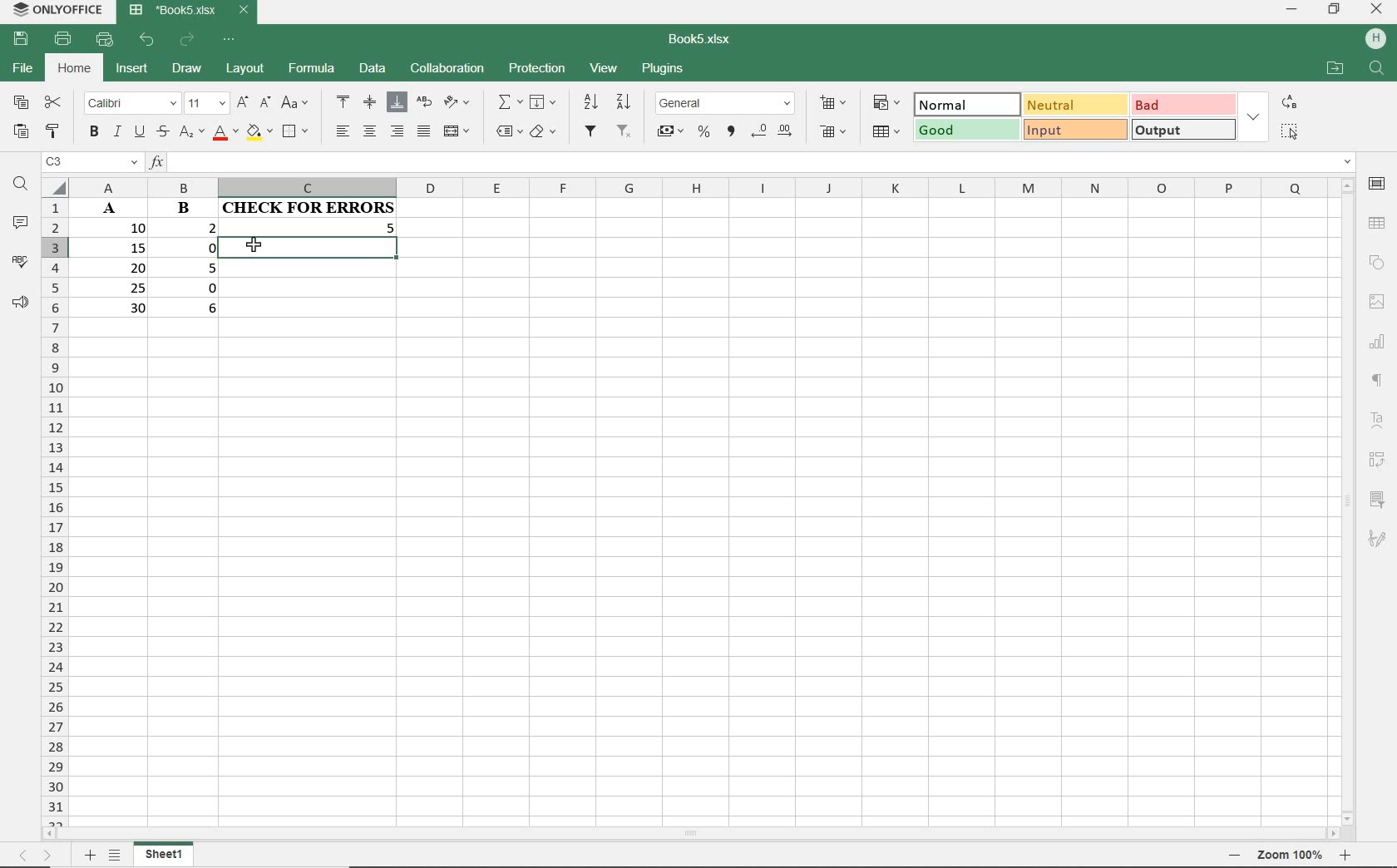 This screenshot has width=1397, height=868. Describe the element at coordinates (1376, 39) in the screenshot. I see `HP` at that location.